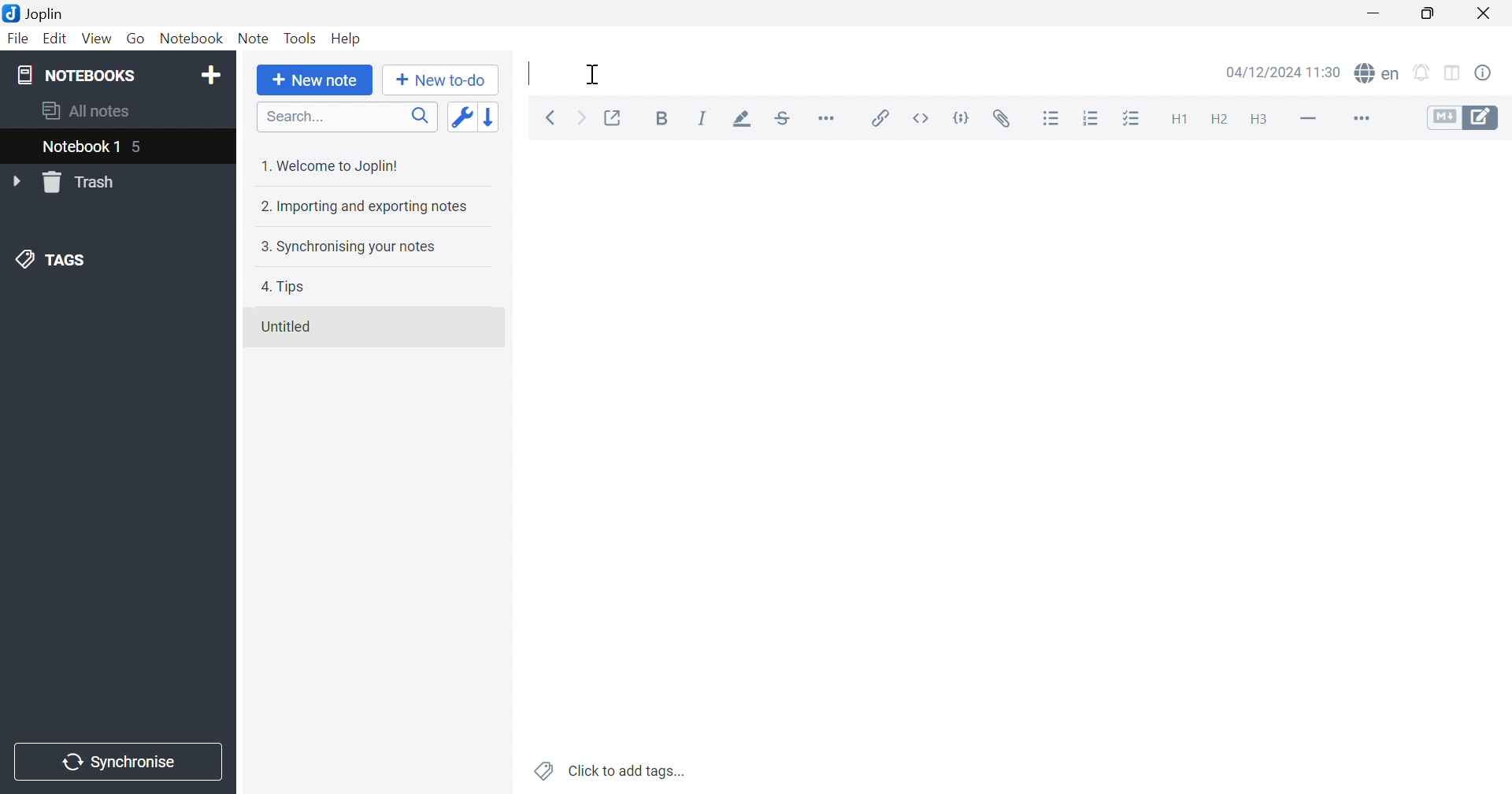 This screenshot has width=1512, height=794. Describe the element at coordinates (1262, 118) in the screenshot. I see `Heading 3` at that location.